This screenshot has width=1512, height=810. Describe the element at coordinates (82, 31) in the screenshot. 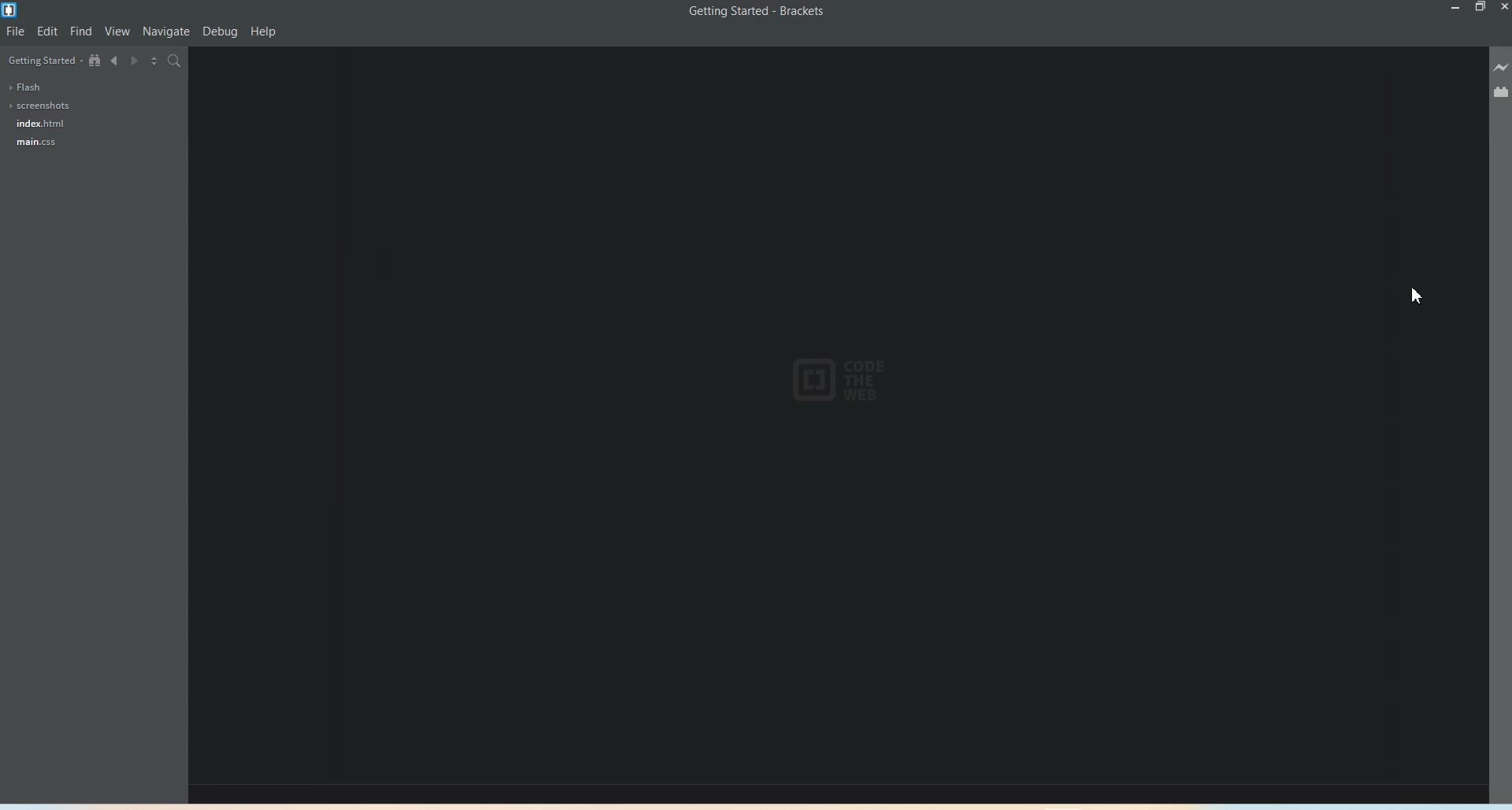

I see `Find` at that location.